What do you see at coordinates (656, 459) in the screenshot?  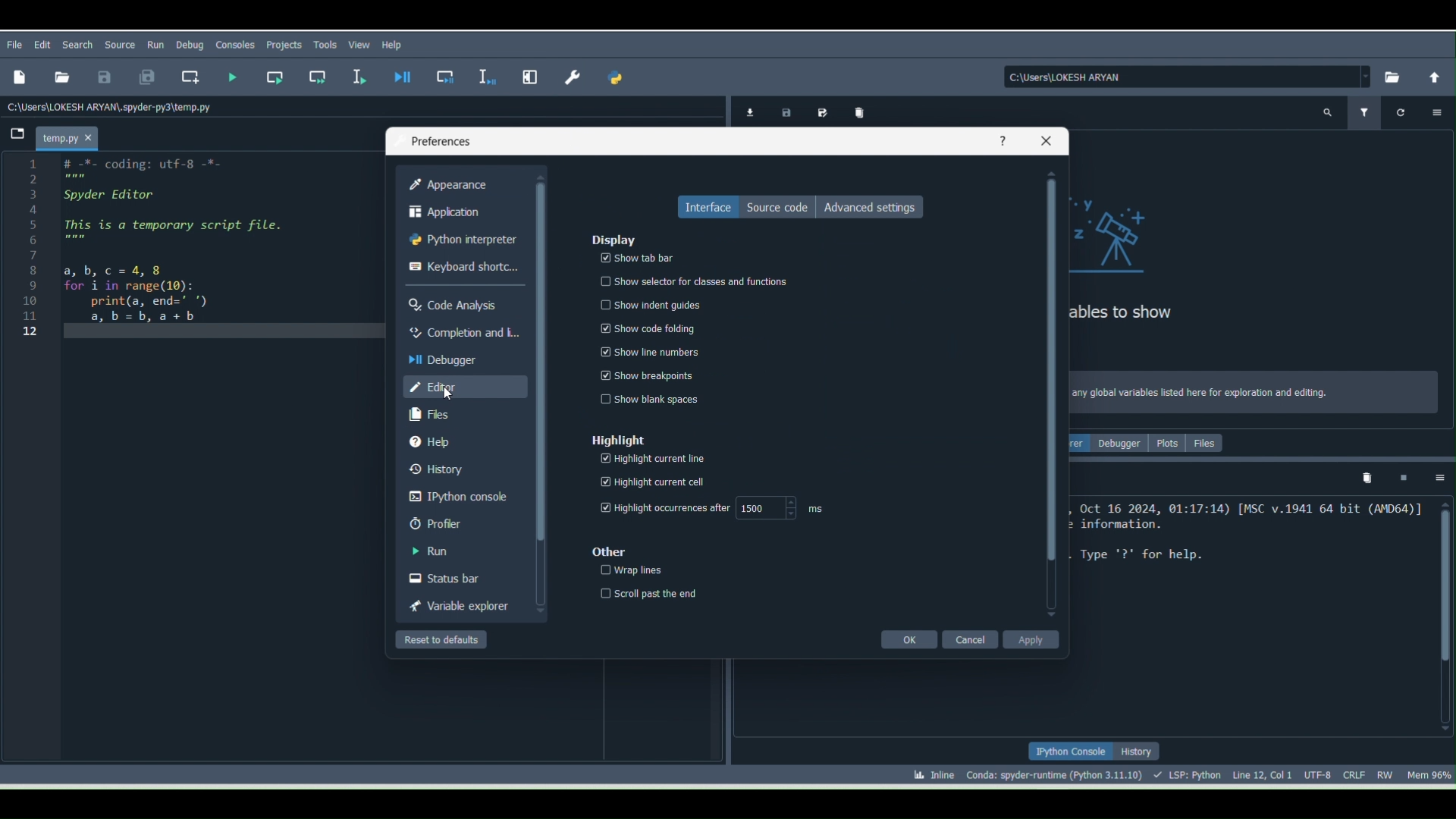 I see `Highlight current line` at bounding box center [656, 459].